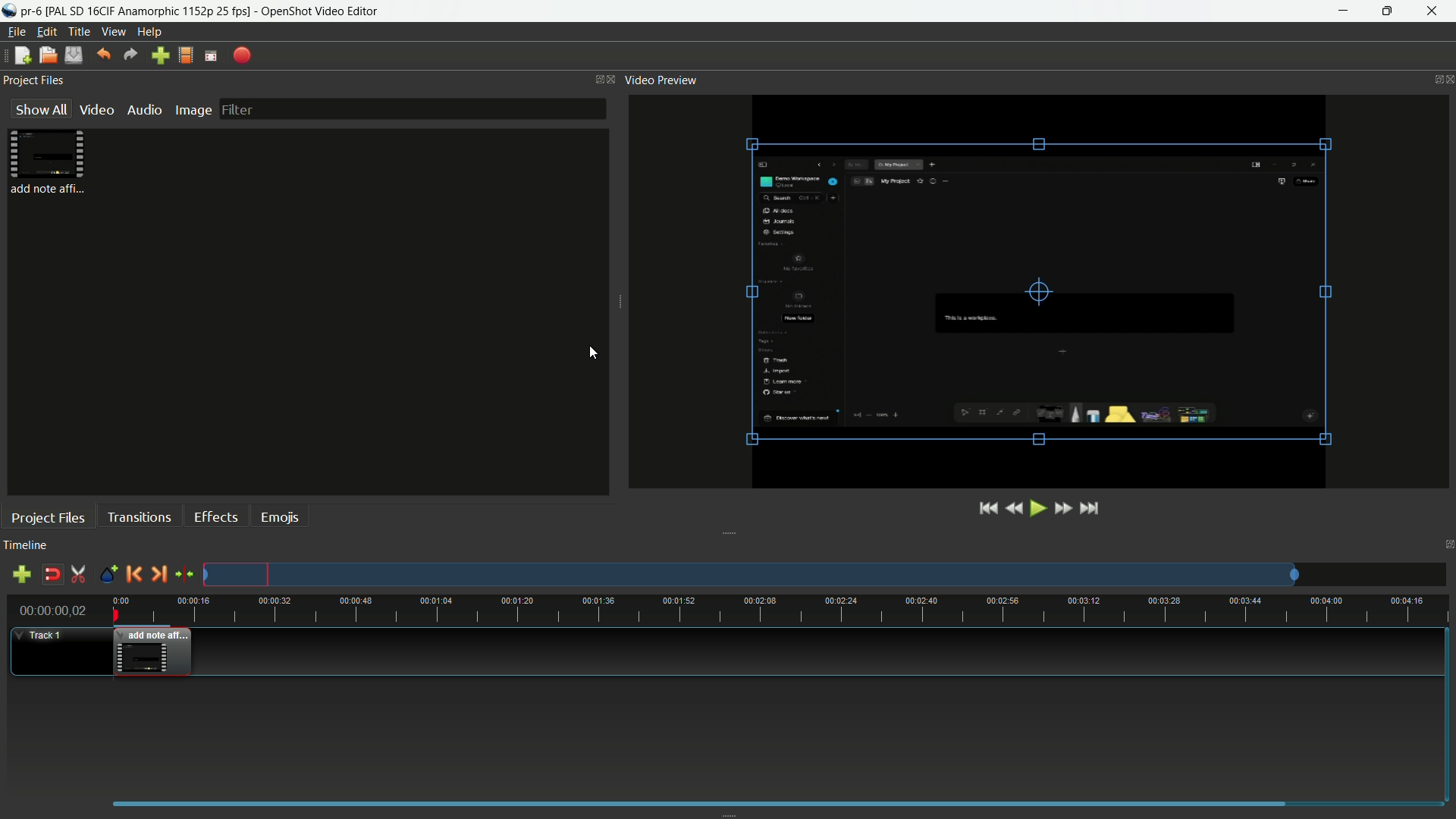 The image size is (1456, 819). What do you see at coordinates (47, 33) in the screenshot?
I see `edit menu` at bounding box center [47, 33].